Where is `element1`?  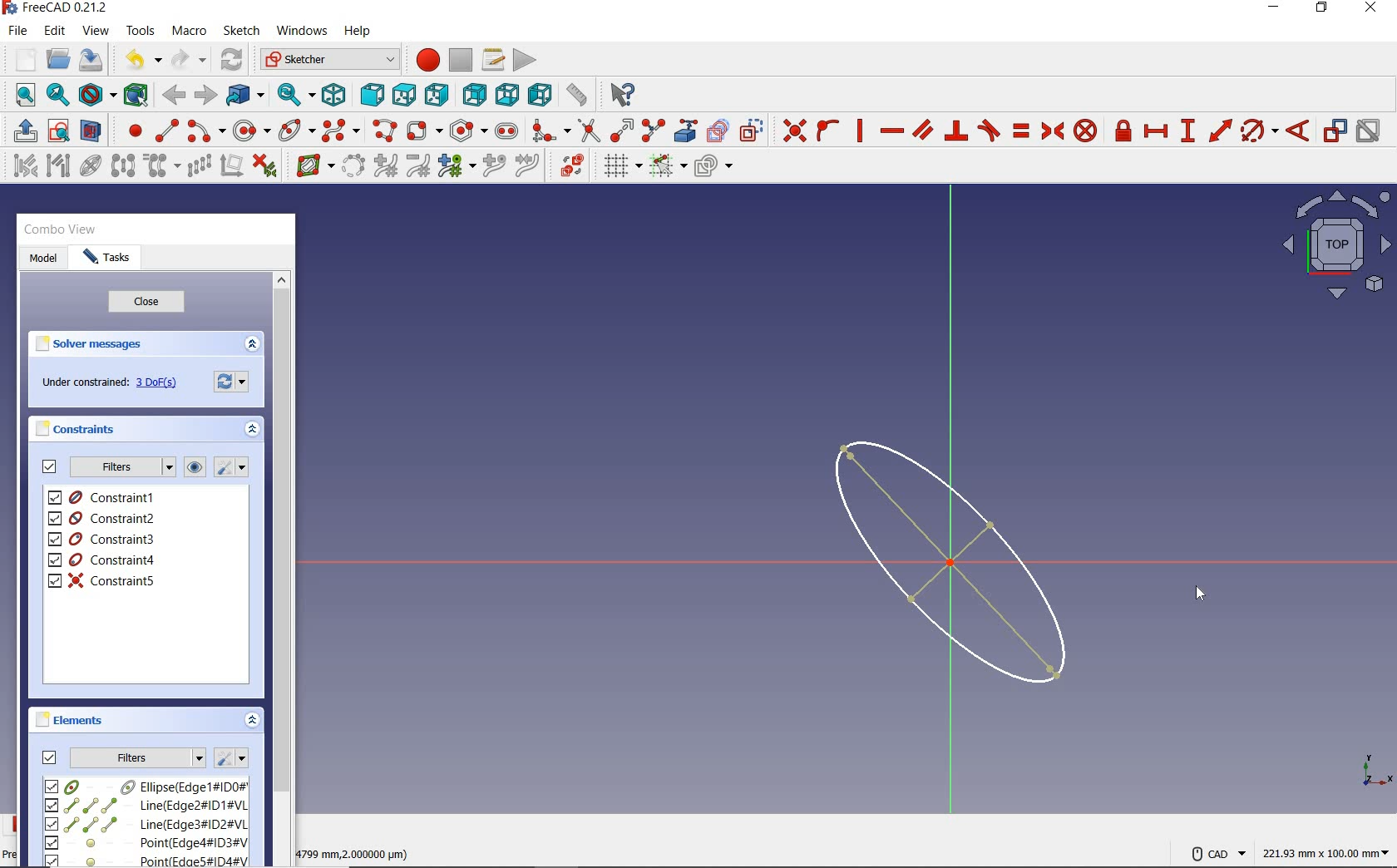
element1 is located at coordinates (144, 786).